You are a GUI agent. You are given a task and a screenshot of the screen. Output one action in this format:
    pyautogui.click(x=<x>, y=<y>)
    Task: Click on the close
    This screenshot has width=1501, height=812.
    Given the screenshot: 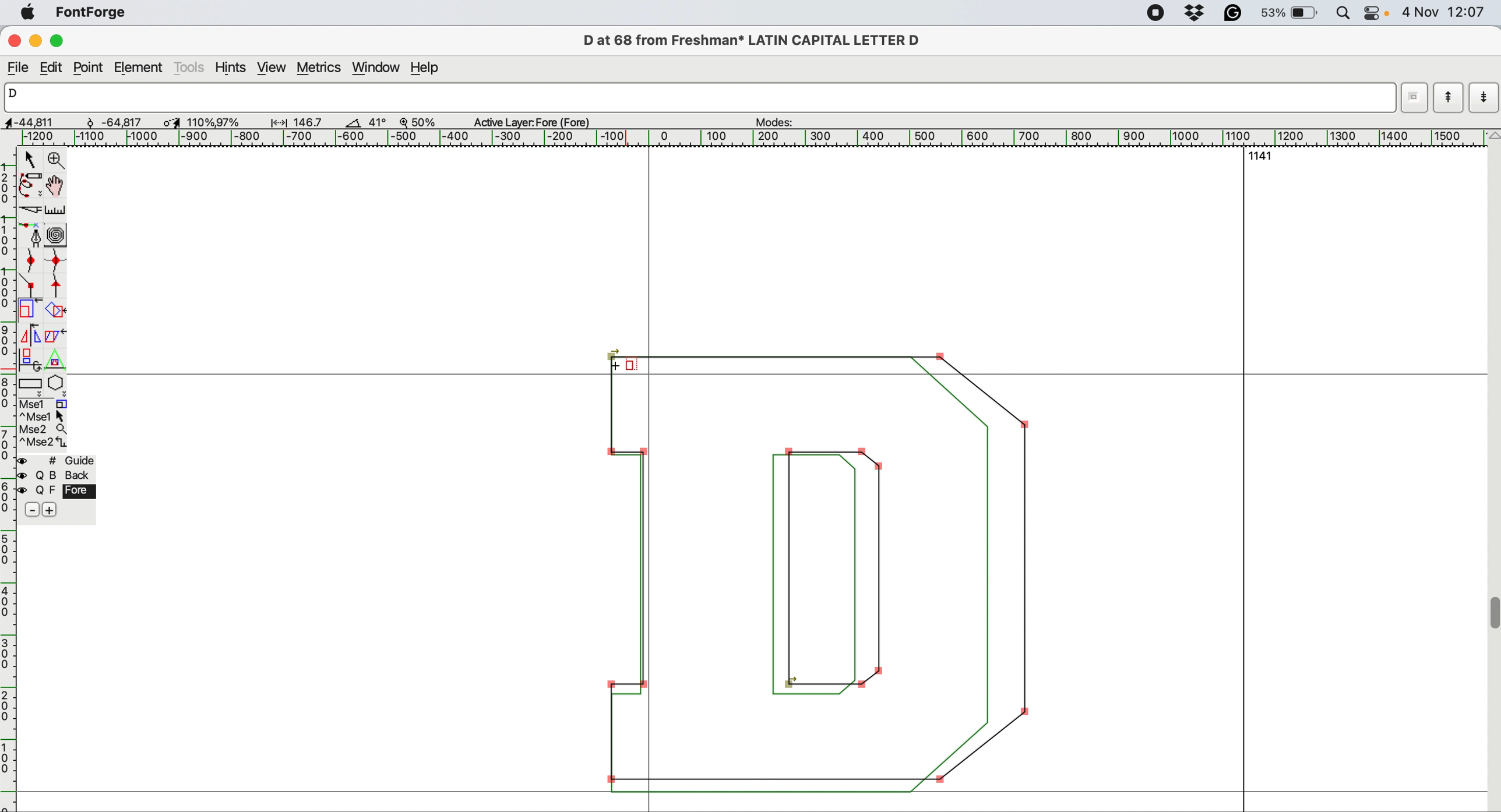 What is the action you would take?
    pyautogui.click(x=13, y=40)
    